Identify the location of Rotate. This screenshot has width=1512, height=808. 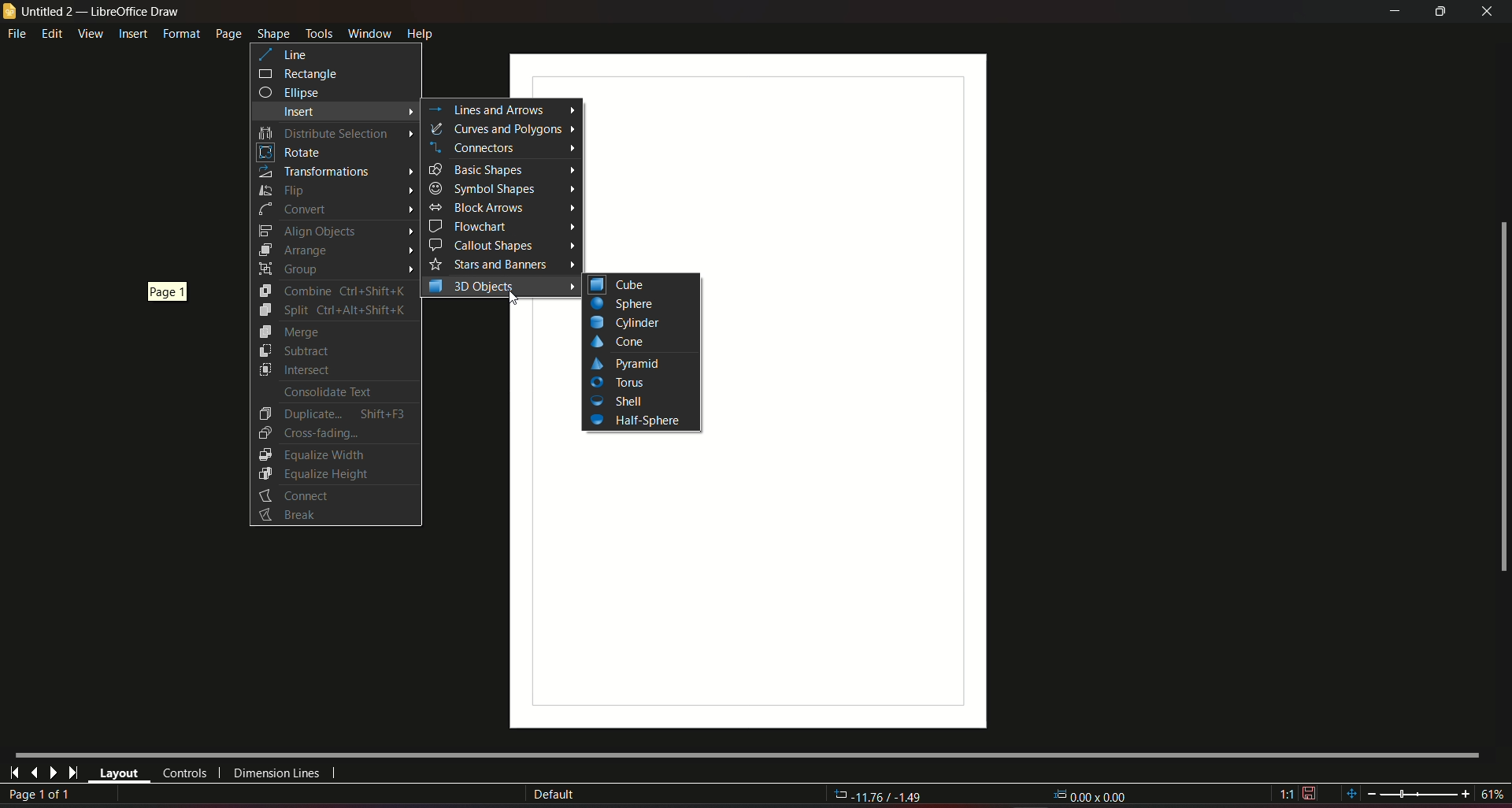
(291, 153).